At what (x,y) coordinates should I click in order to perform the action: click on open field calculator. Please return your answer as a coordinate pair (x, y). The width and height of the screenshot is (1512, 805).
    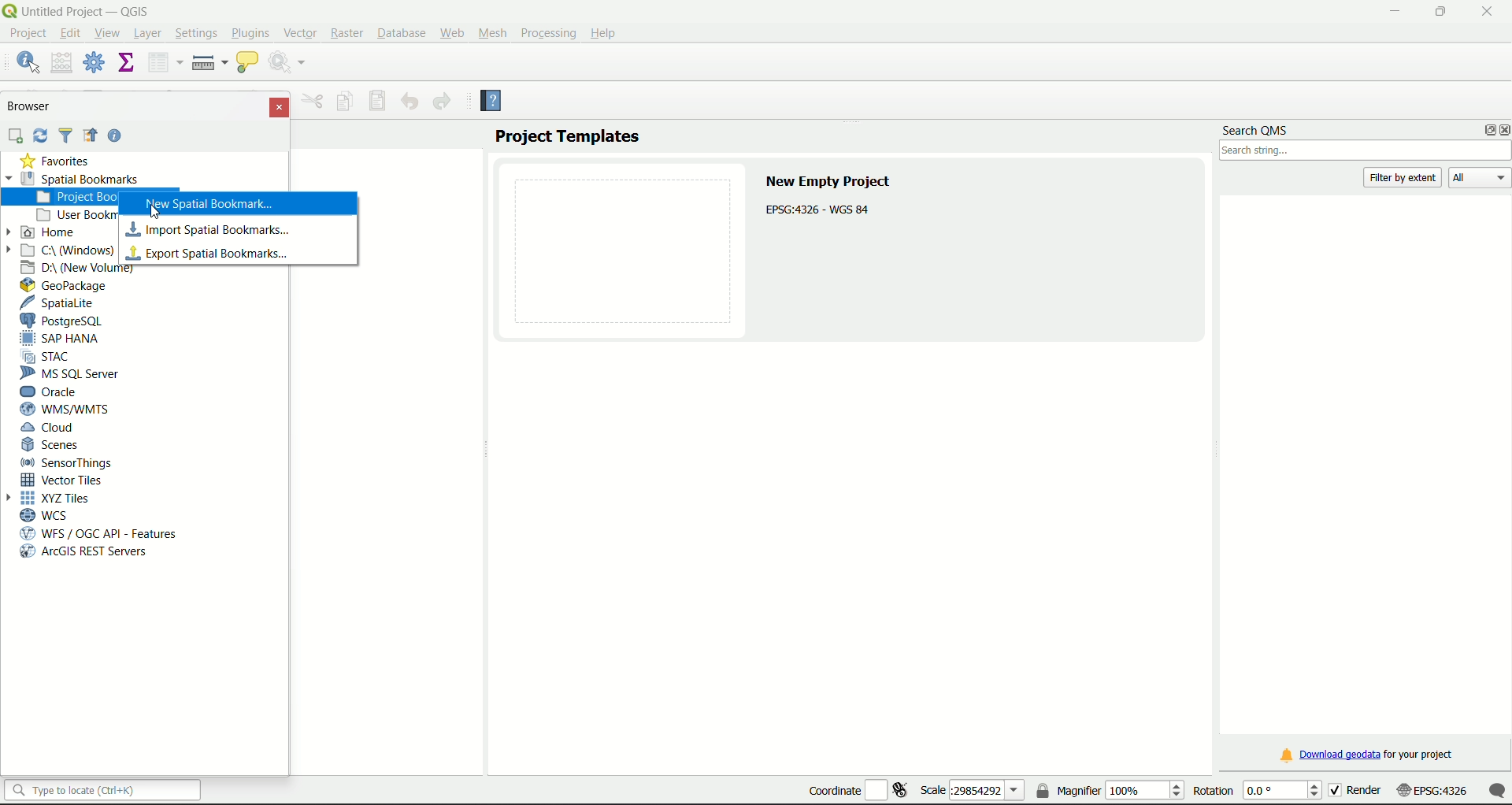
    Looking at the image, I should click on (62, 61).